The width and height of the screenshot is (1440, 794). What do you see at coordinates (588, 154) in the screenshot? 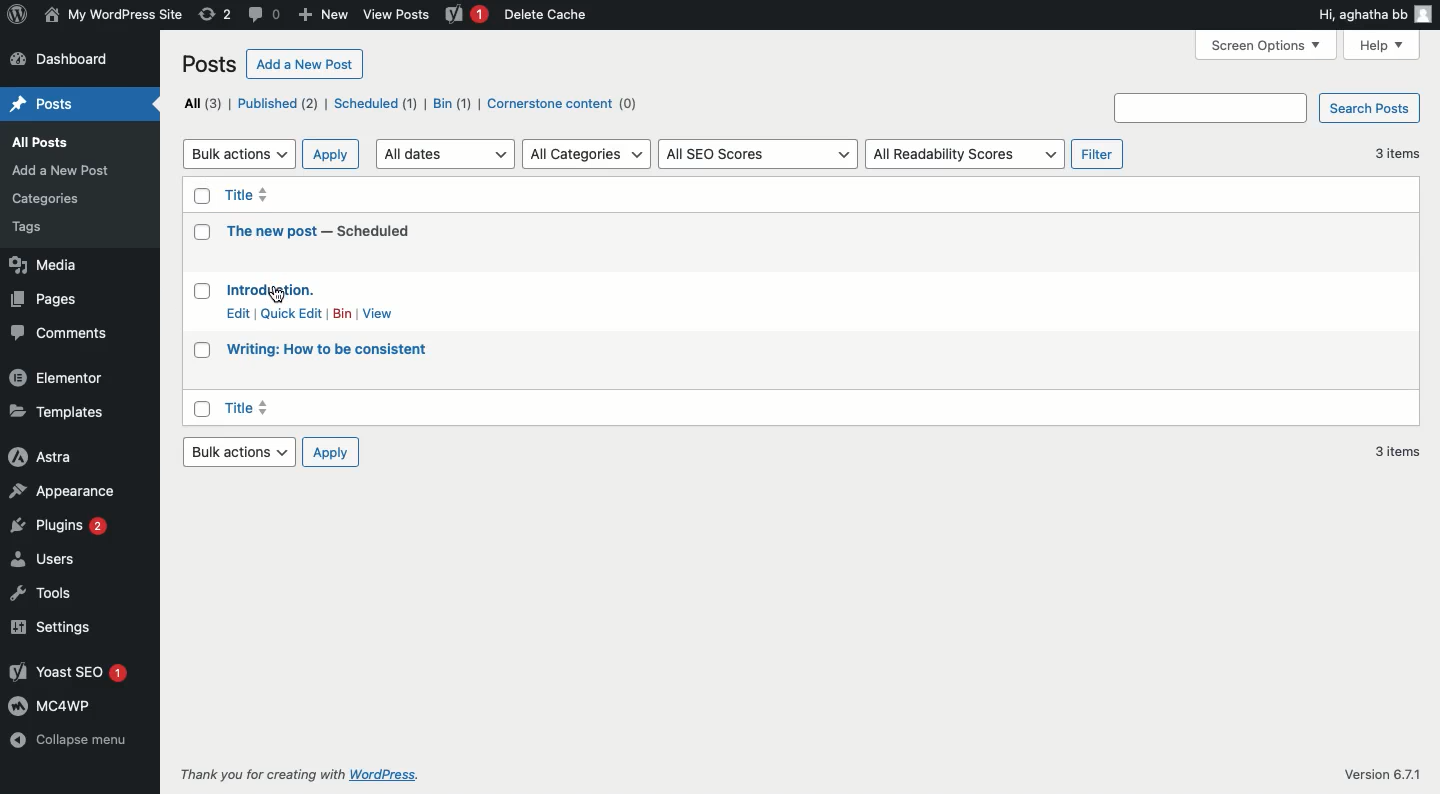
I see `All categories` at bounding box center [588, 154].